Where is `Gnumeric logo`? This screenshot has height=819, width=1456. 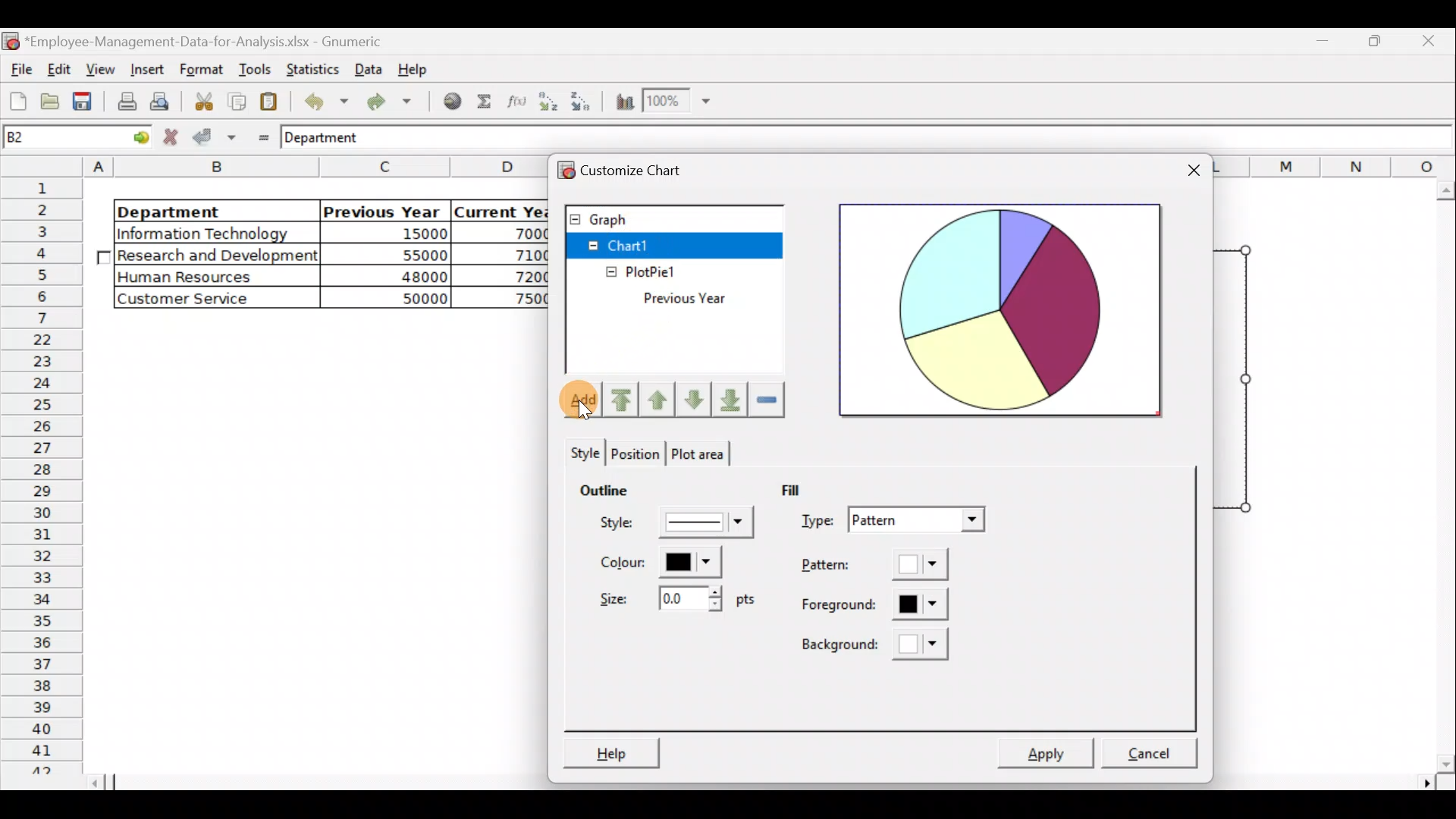
Gnumeric logo is located at coordinates (11, 40).